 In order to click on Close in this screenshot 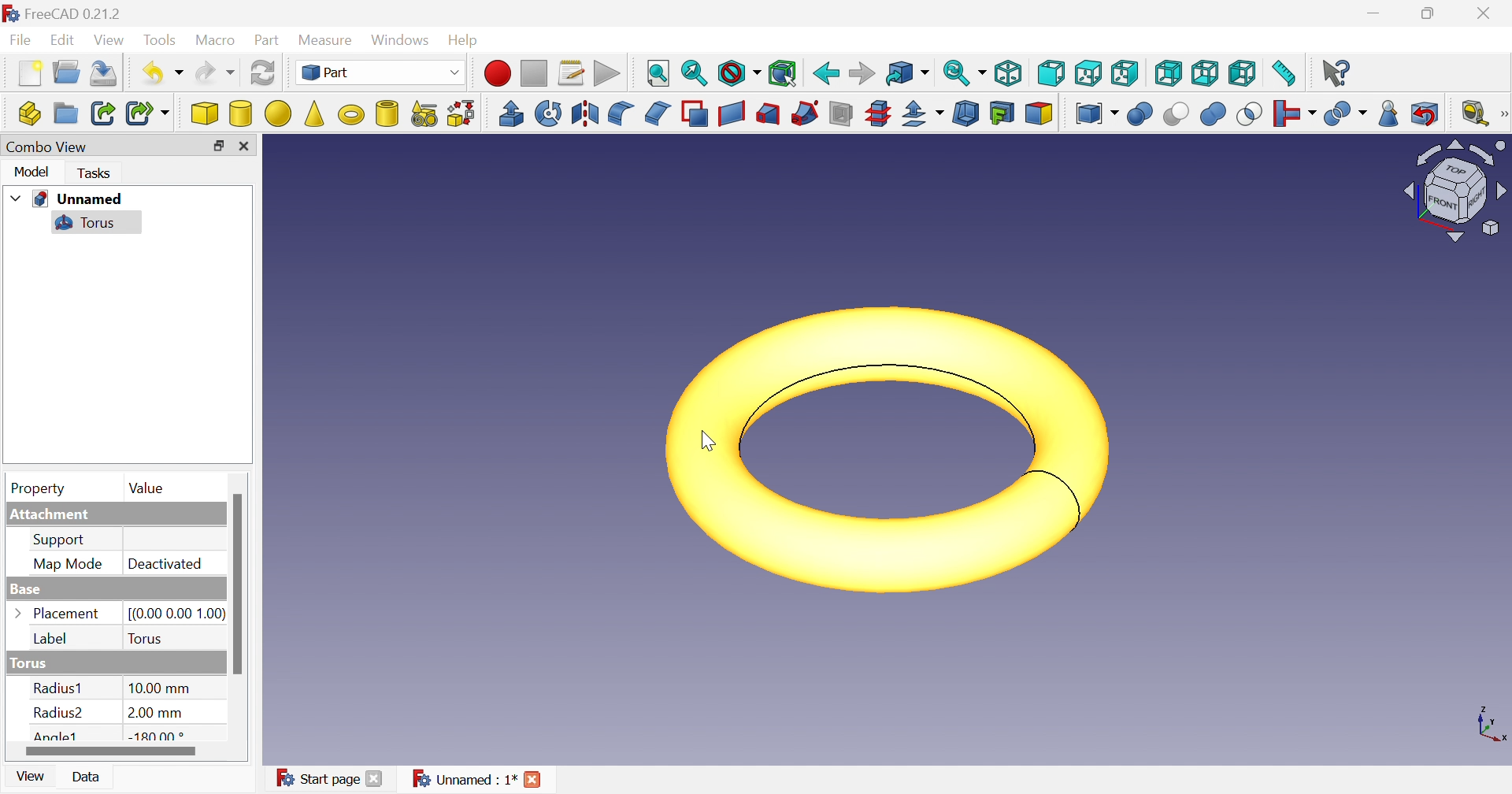, I will do `click(1484, 15)`.